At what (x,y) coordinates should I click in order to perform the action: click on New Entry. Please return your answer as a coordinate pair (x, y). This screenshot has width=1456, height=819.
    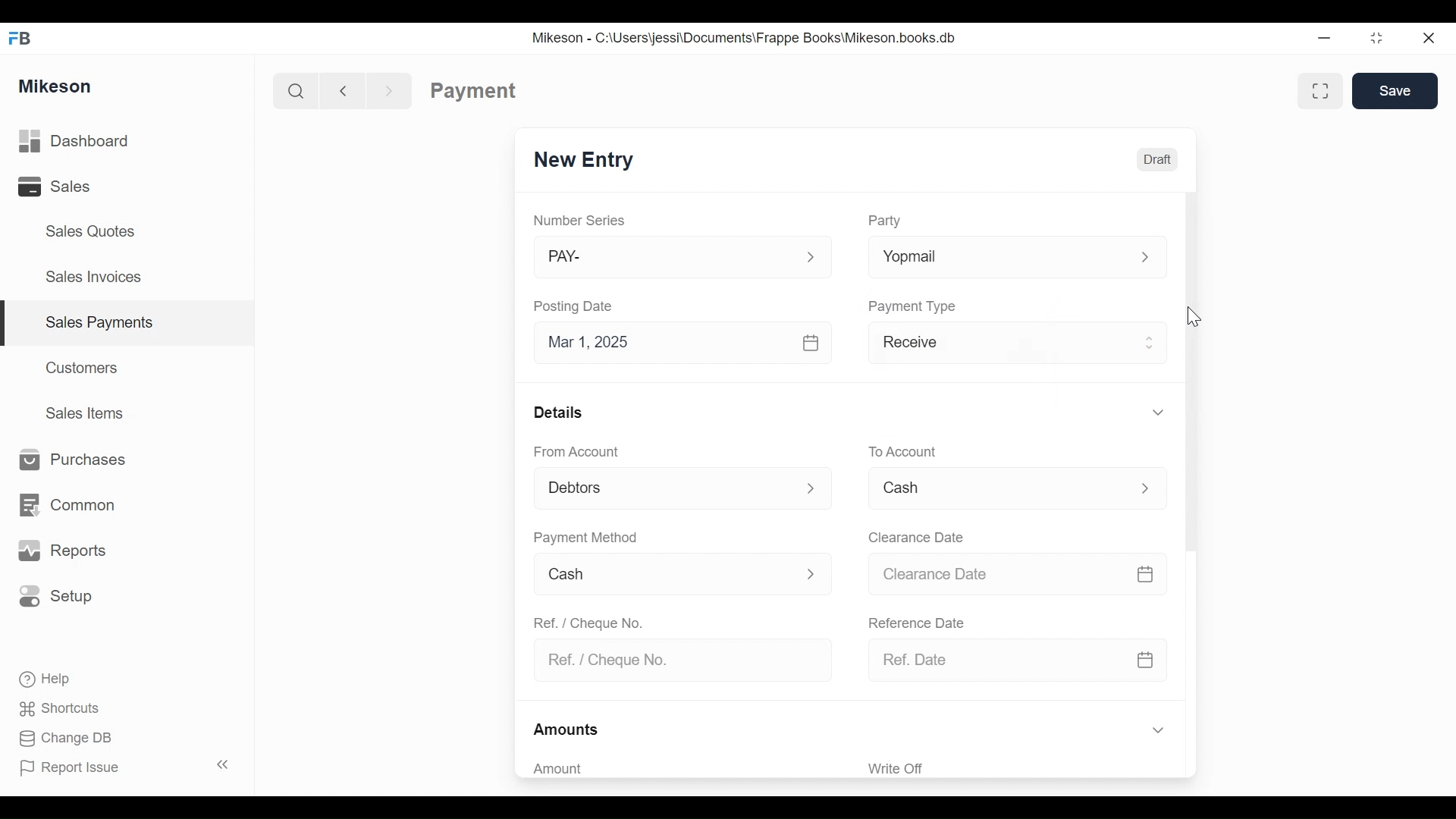
    Looking at the image, I should click on (583, 158).